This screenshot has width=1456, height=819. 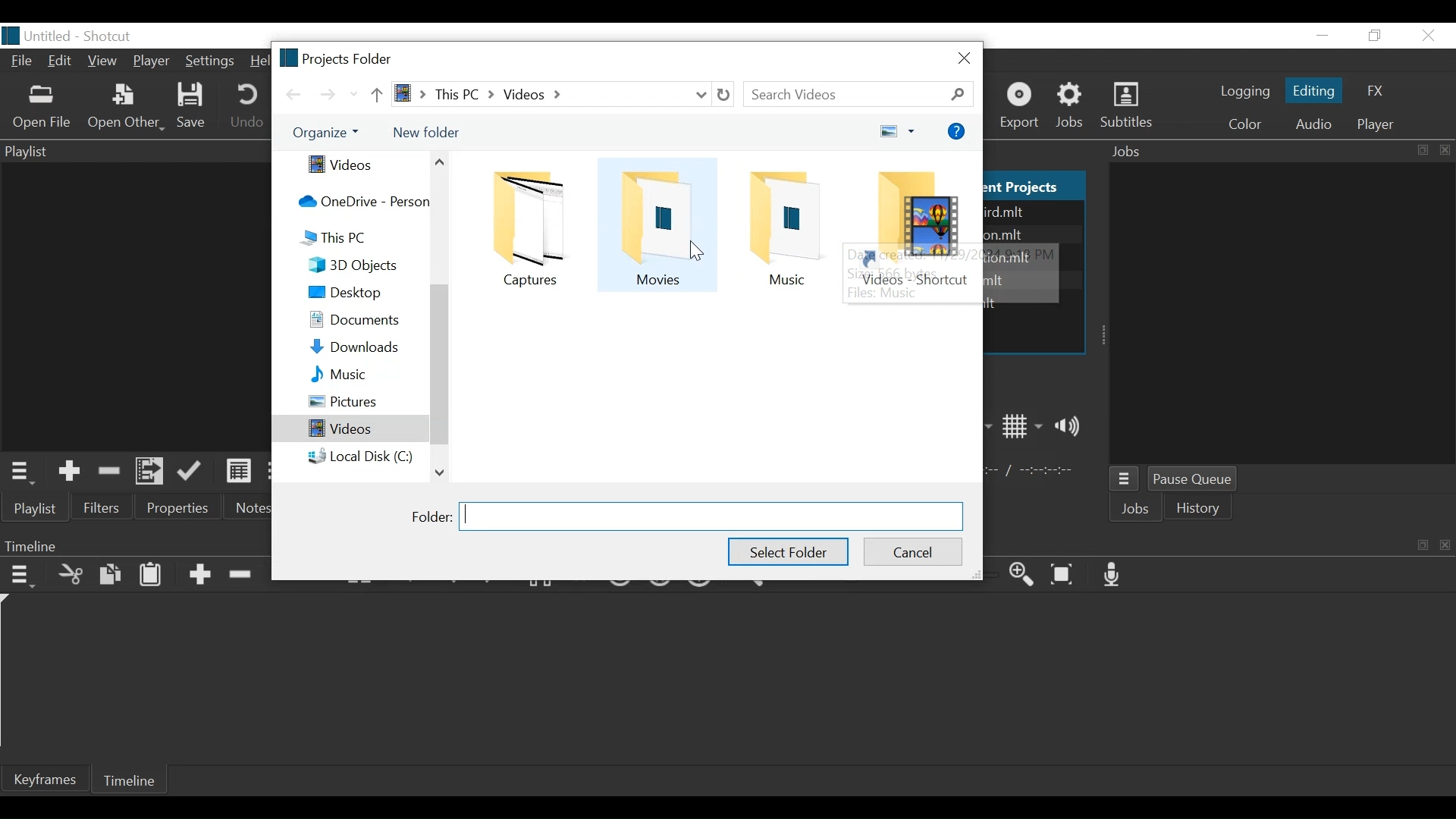 I want to click on Project Folder, so click(x=340, y=58).